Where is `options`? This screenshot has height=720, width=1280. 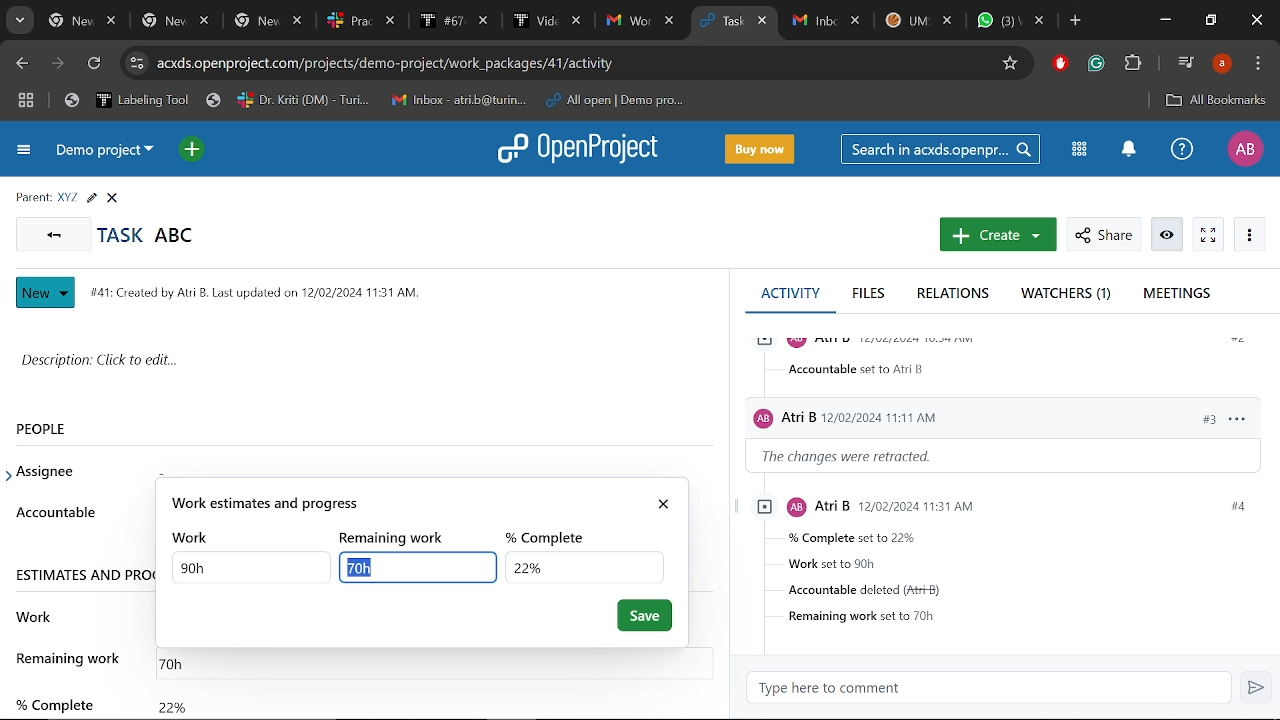
options is located at coordinates (1236, 417).